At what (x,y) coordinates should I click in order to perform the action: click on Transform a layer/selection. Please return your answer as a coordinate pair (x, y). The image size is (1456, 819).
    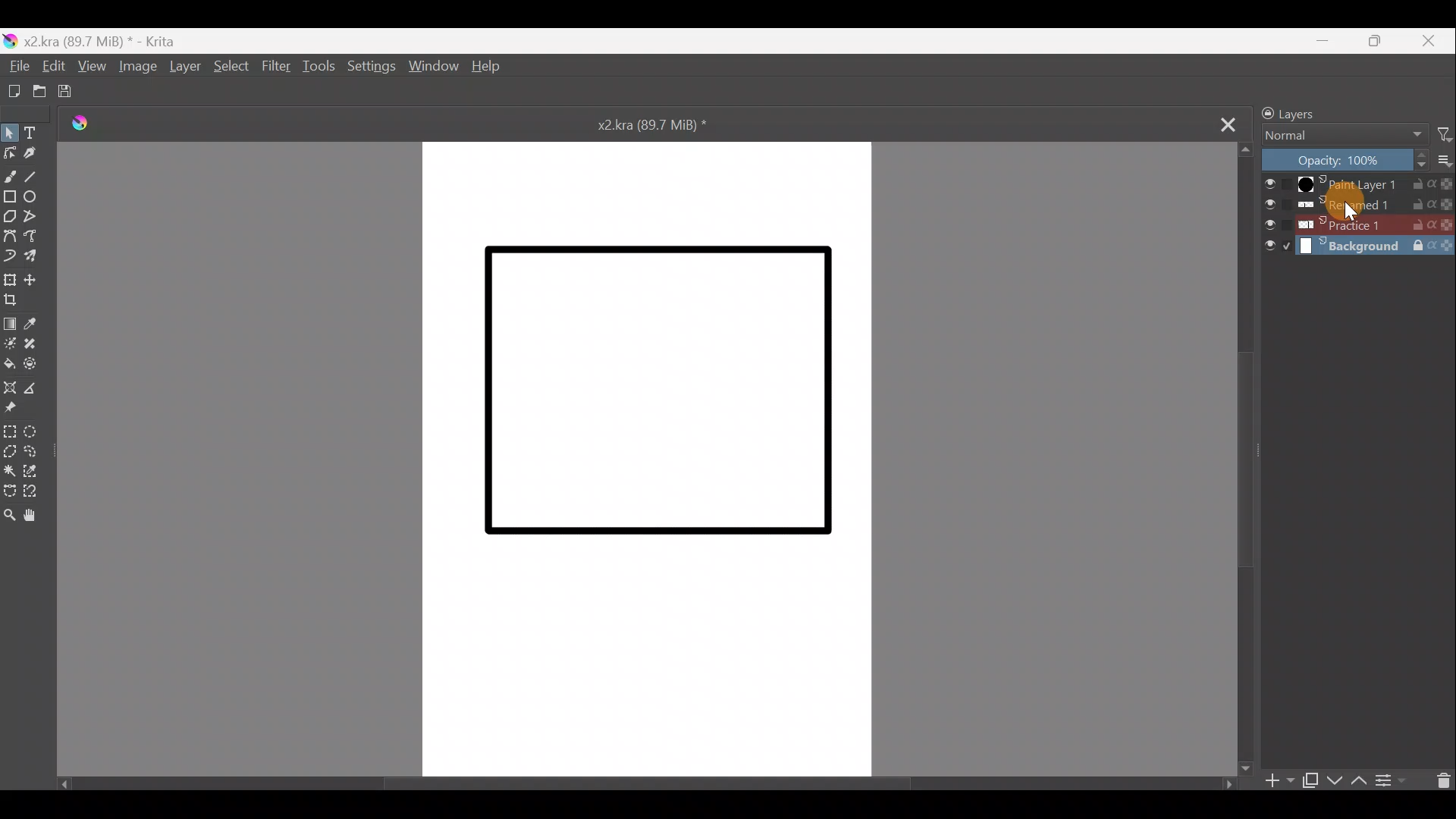
    Looking at the image, I should click on (10, 279).